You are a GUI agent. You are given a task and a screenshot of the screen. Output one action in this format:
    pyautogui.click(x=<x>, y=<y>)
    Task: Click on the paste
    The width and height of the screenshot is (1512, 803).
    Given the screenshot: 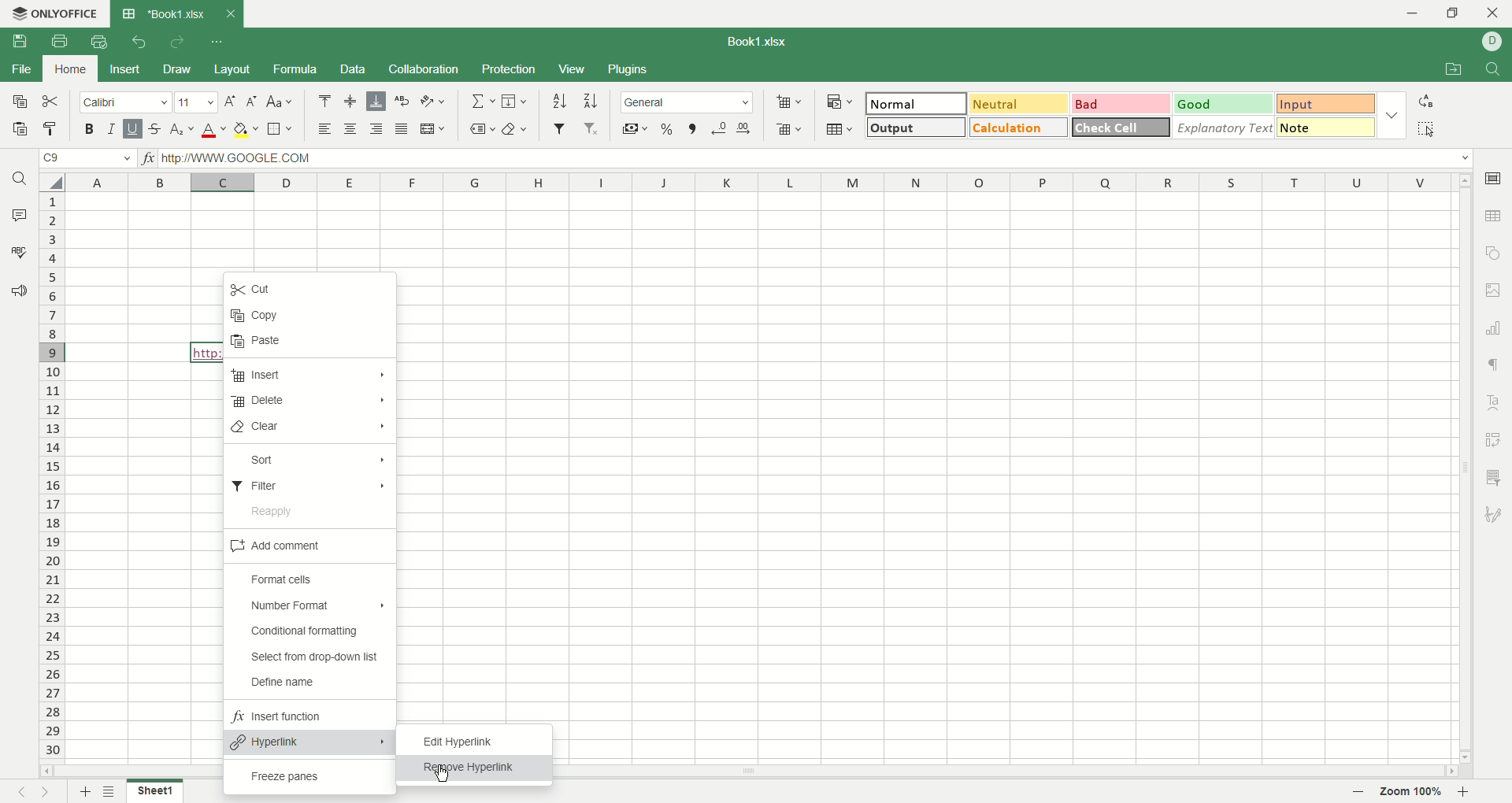 What is the action you would take?
    pyautogui.click(x=18, y=129)
    